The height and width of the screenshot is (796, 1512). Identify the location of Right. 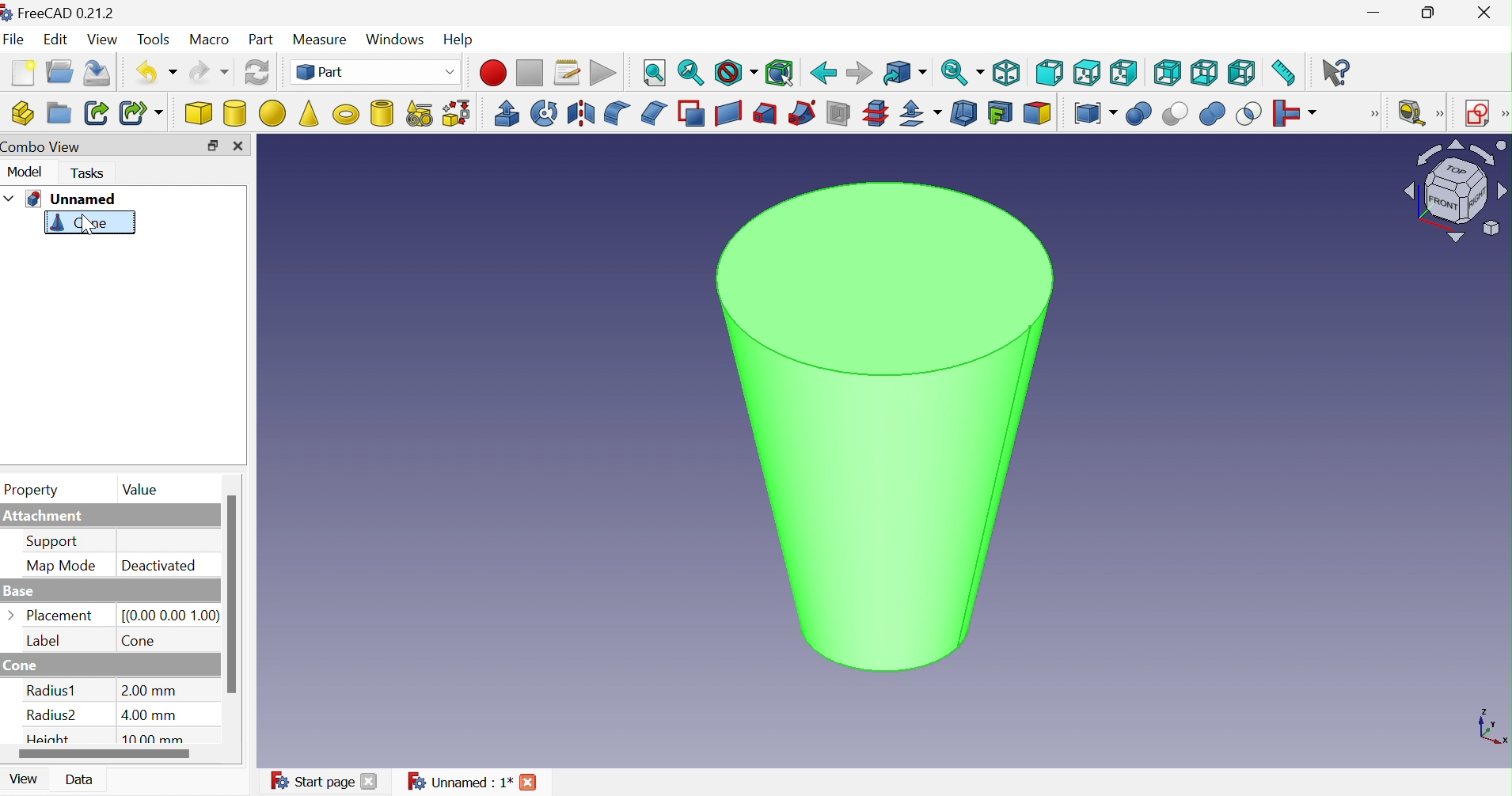
(1124, 71).